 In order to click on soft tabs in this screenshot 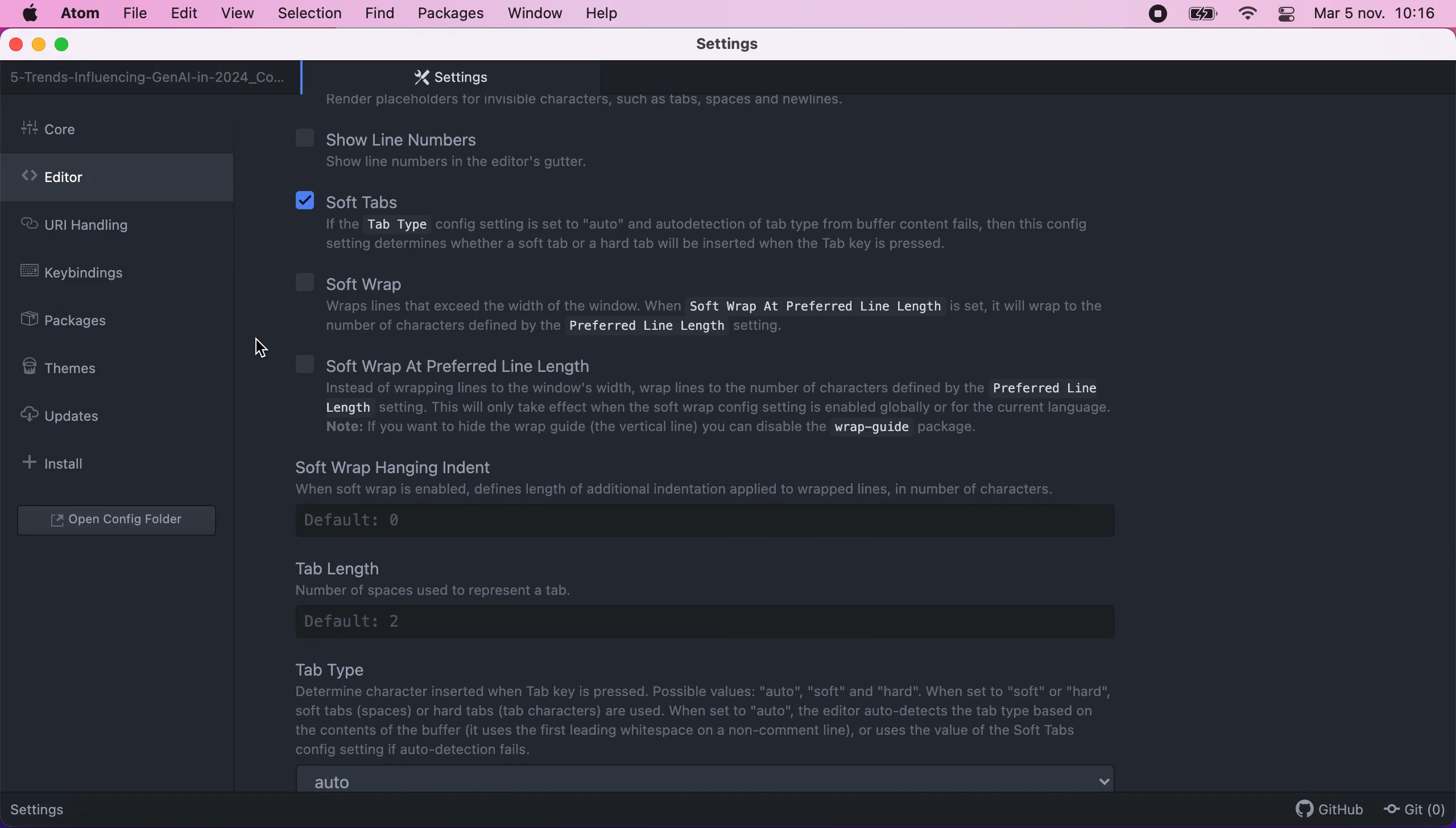, I will do `click(699, 224)`.